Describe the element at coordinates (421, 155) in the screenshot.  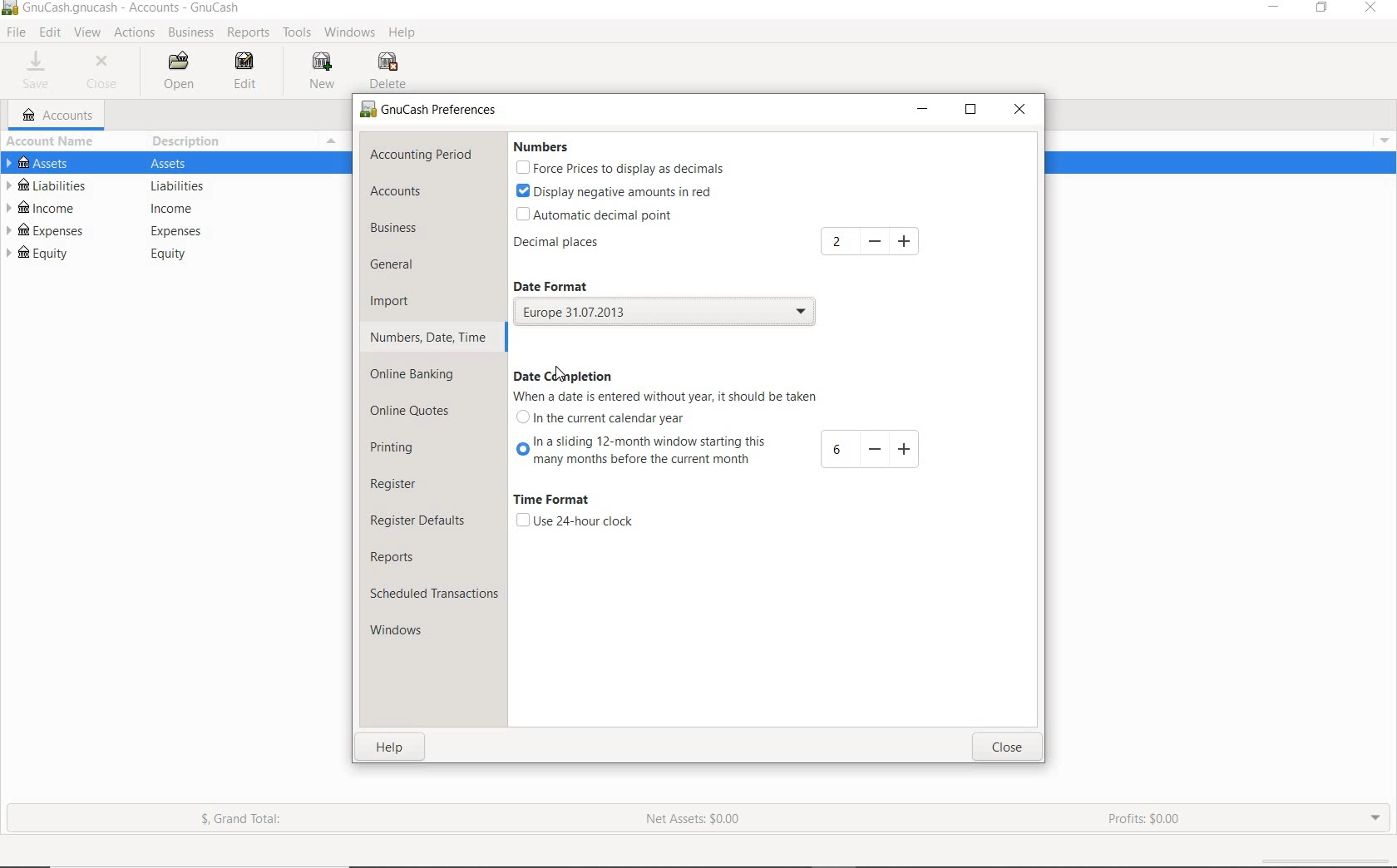
I see `accounting period` at that location.